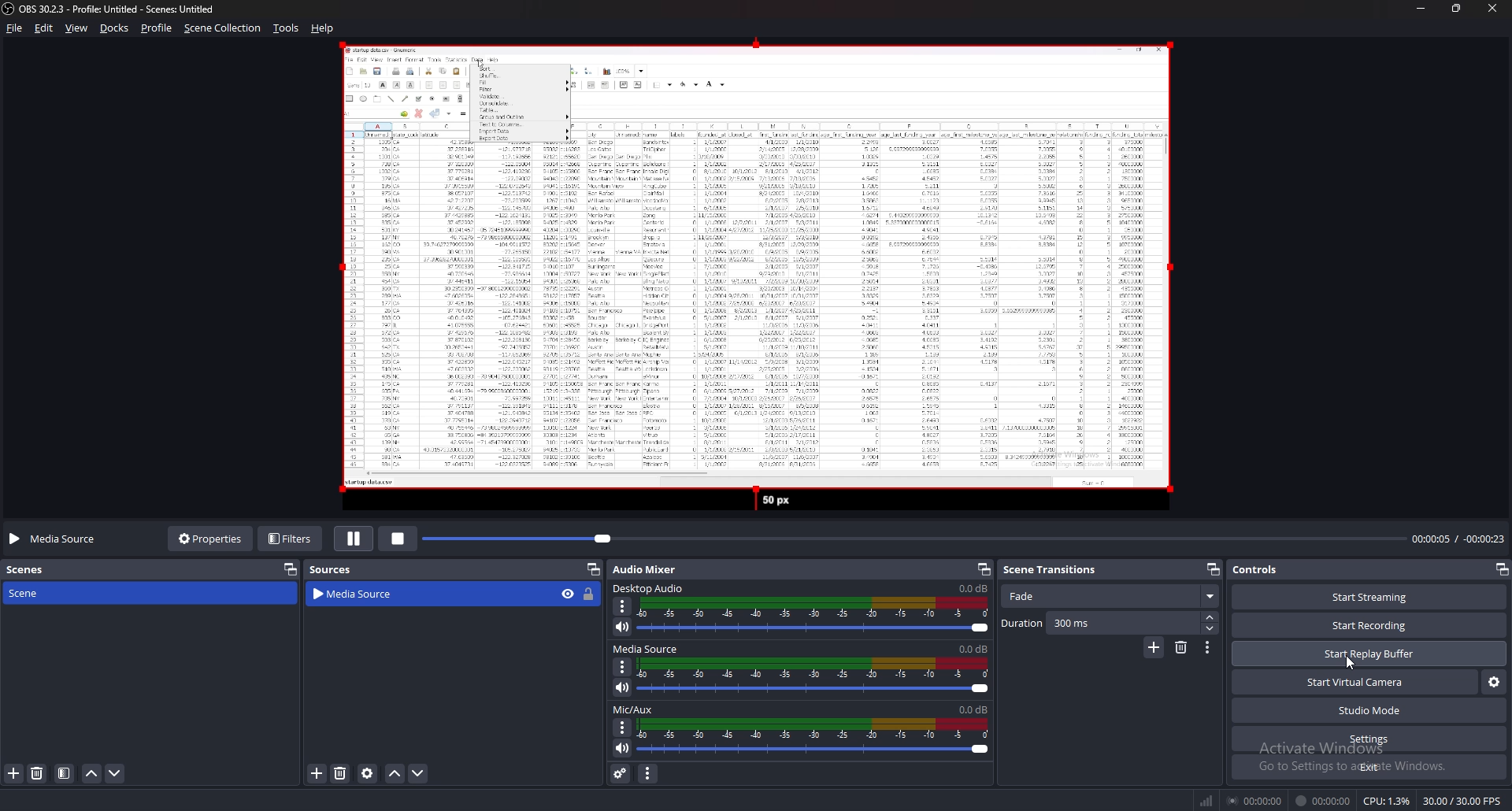  What do you see at coordinates (45, 28) in the screenshot?
I see `edit` at bounding box center [45, 28].